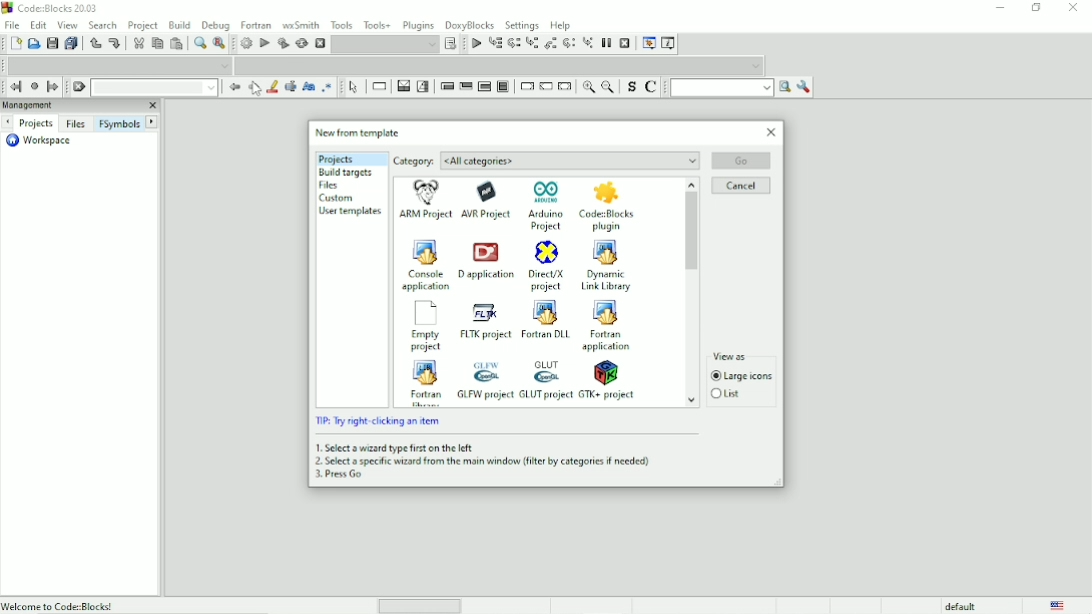 This screenshot has width=1092, height=614. Describe the element at coordinates (629, 87) in the screenshot. I see `Toggle source` at that location.